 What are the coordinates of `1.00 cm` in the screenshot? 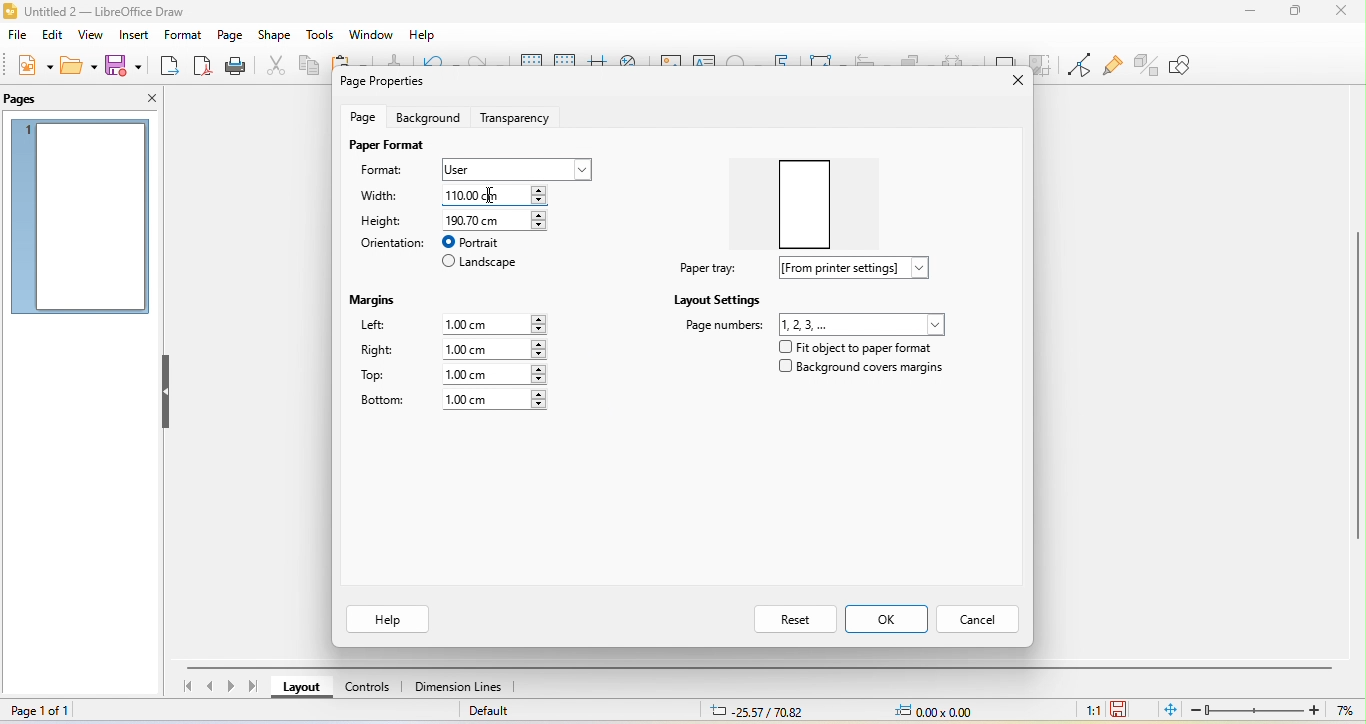 It's located at (495, 400).